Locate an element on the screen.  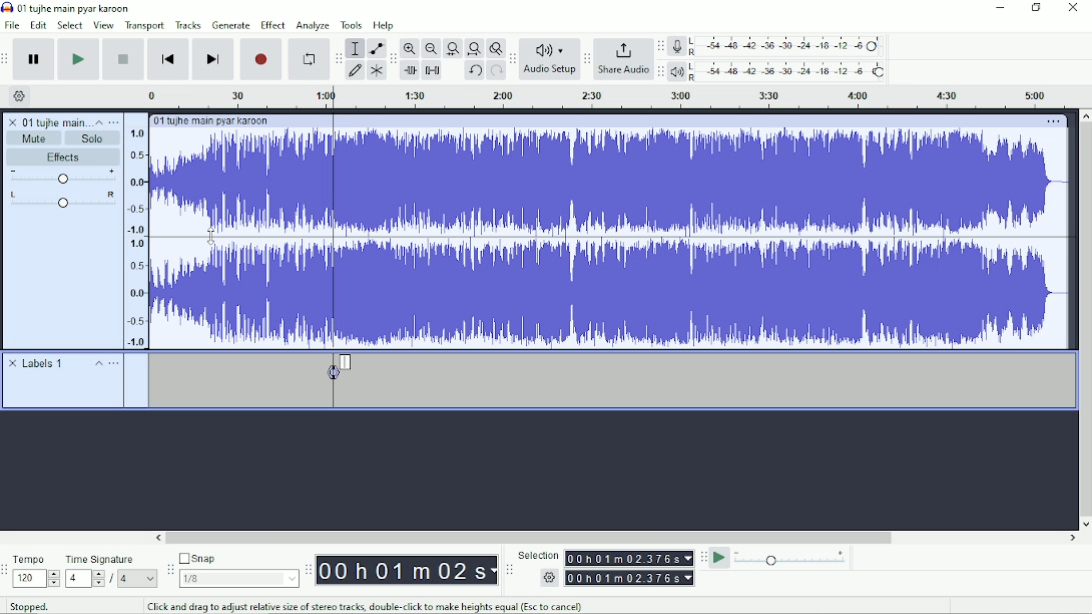
Zoom In is located at coordinates (410, 49).